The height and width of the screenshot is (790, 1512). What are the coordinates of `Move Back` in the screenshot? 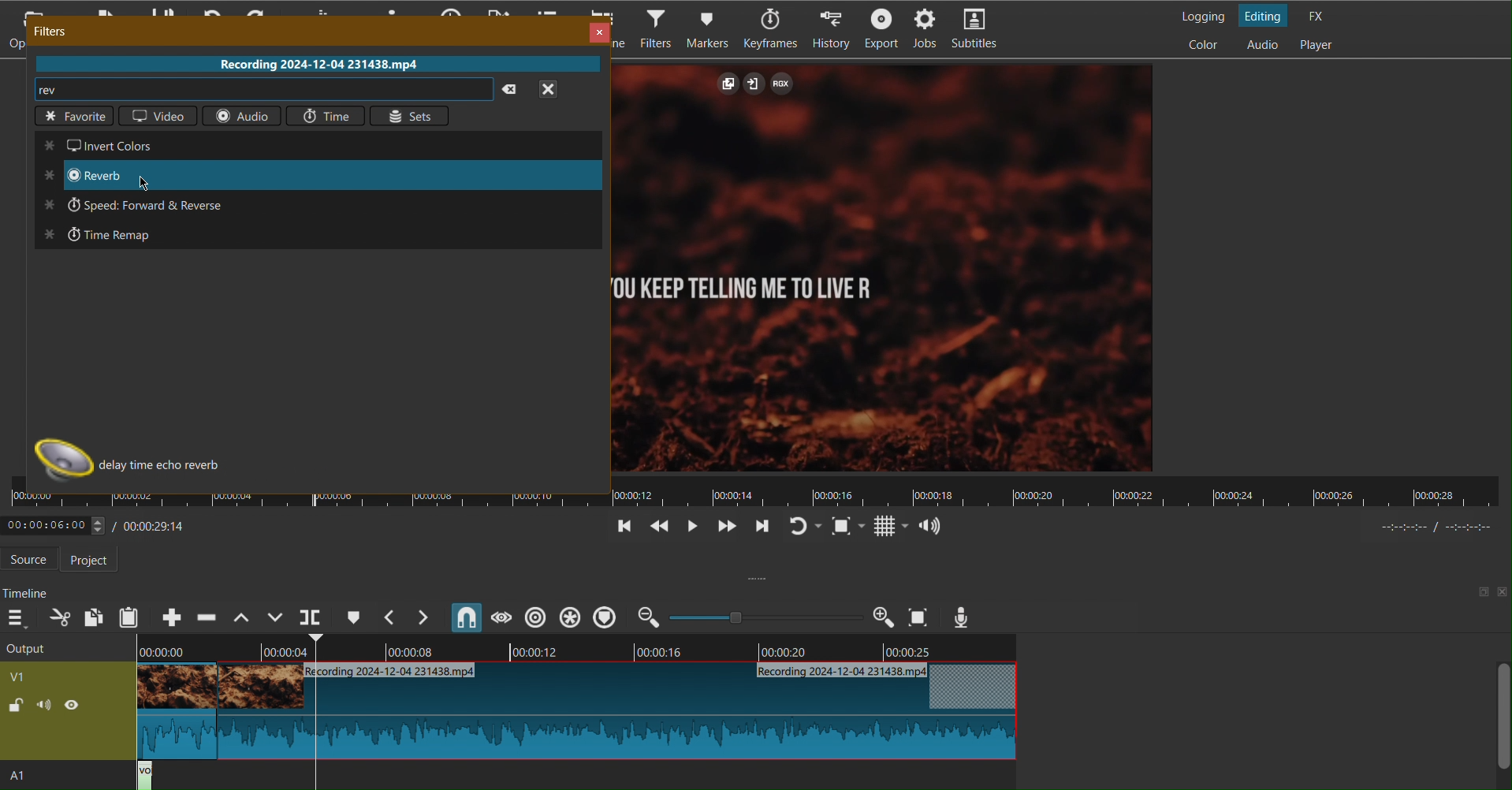 It's located at (657, 528).